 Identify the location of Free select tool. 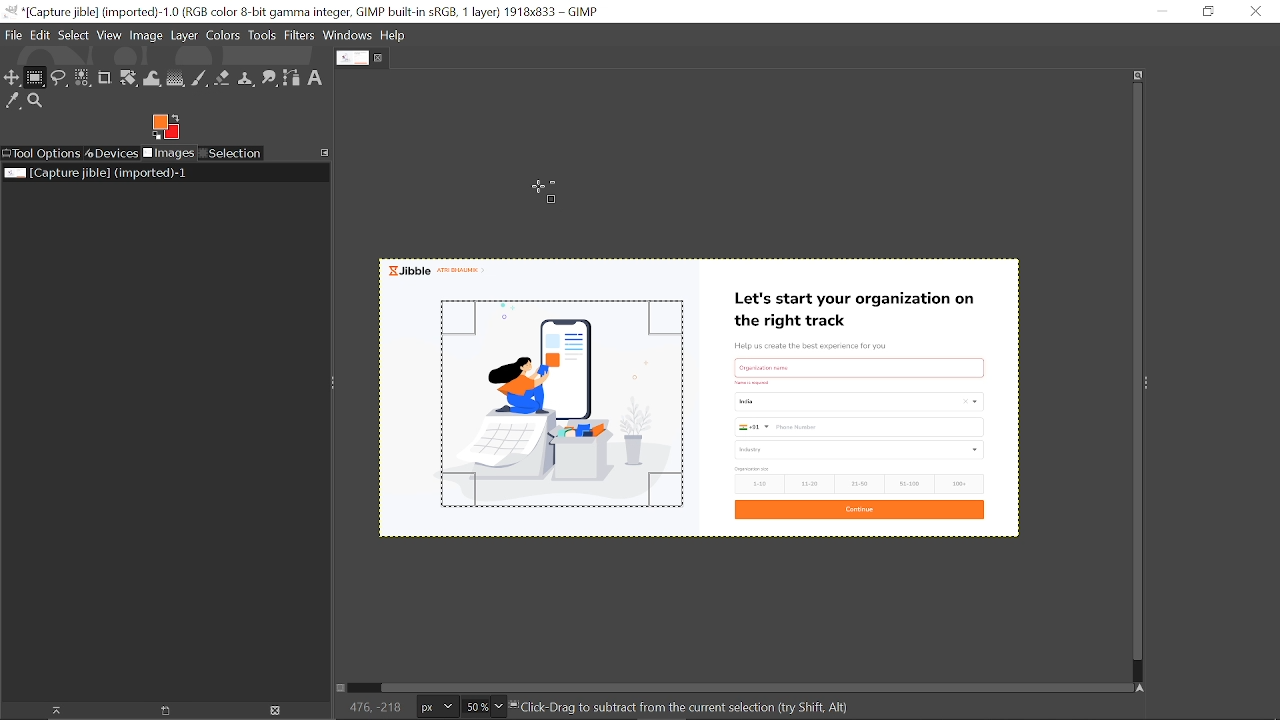
(60, 79).